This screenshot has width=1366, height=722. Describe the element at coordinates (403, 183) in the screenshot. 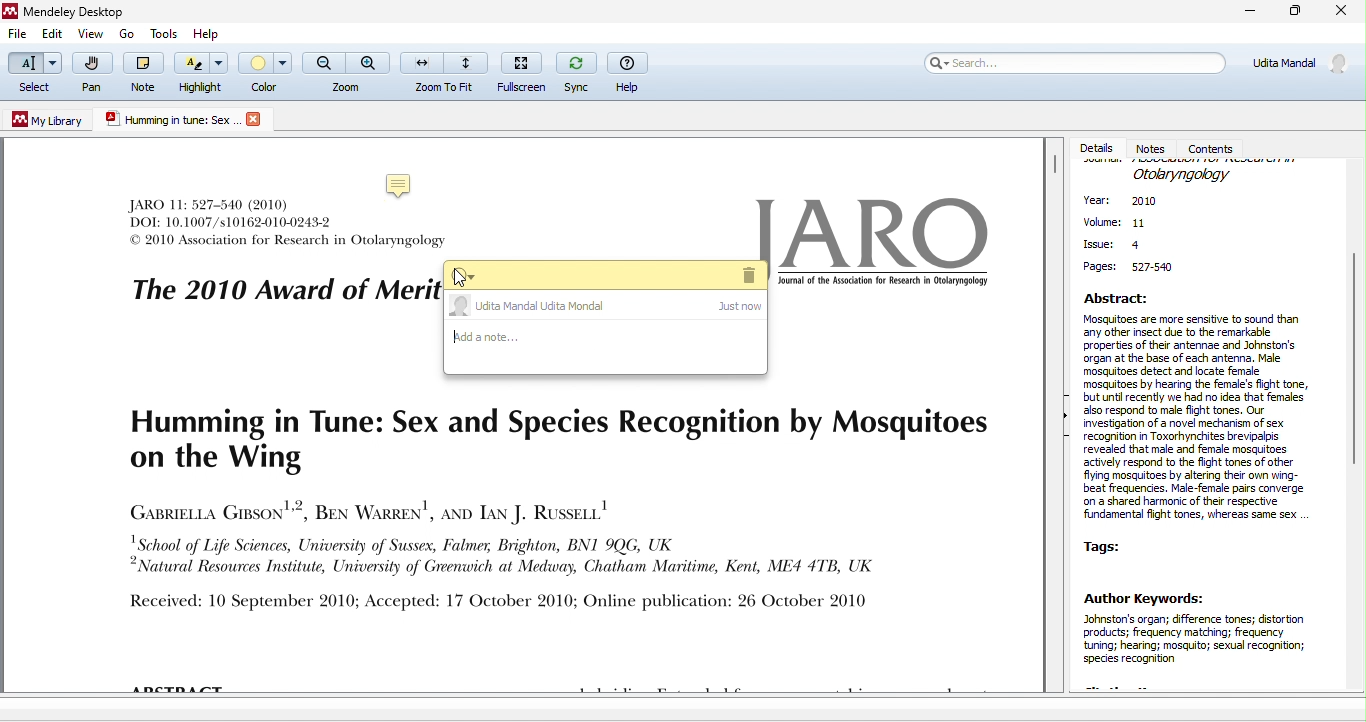

I see `note` at that location.